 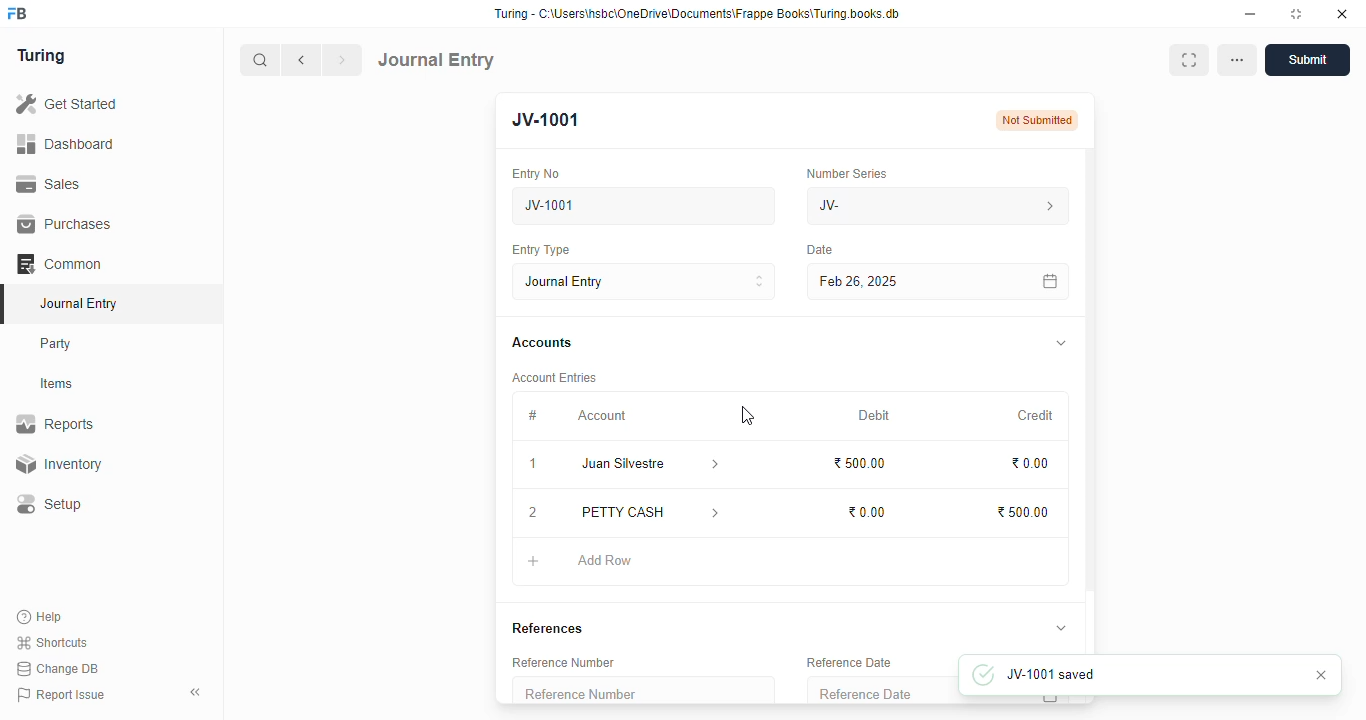 What do you see at coordinates (1296, 14) in the screenshot?
I see `toggle maximize` at bounding box center [1296, 14].